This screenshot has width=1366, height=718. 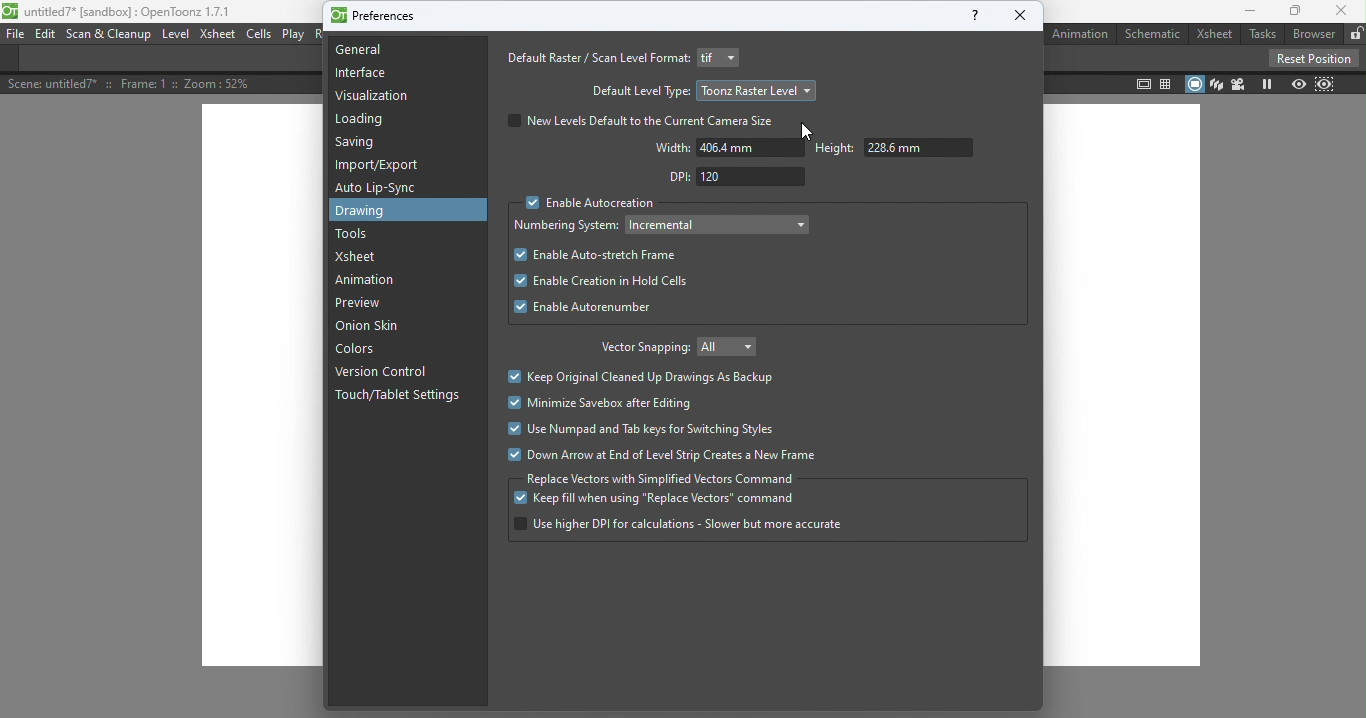 I want to click on Import/Export, so click(x=381, y=166).